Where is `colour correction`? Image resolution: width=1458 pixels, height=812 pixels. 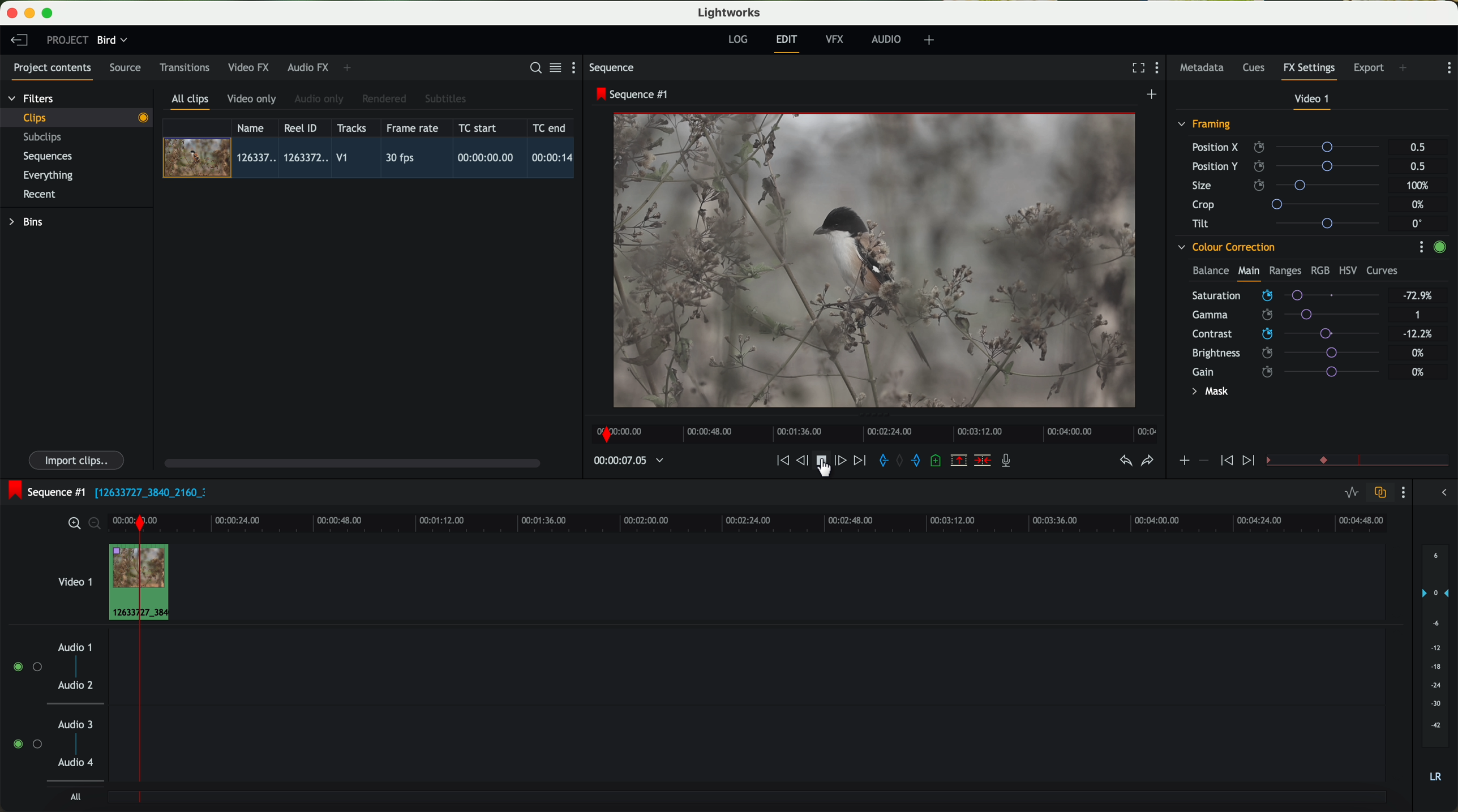
colour correction is located at coordinates (1225, 247).